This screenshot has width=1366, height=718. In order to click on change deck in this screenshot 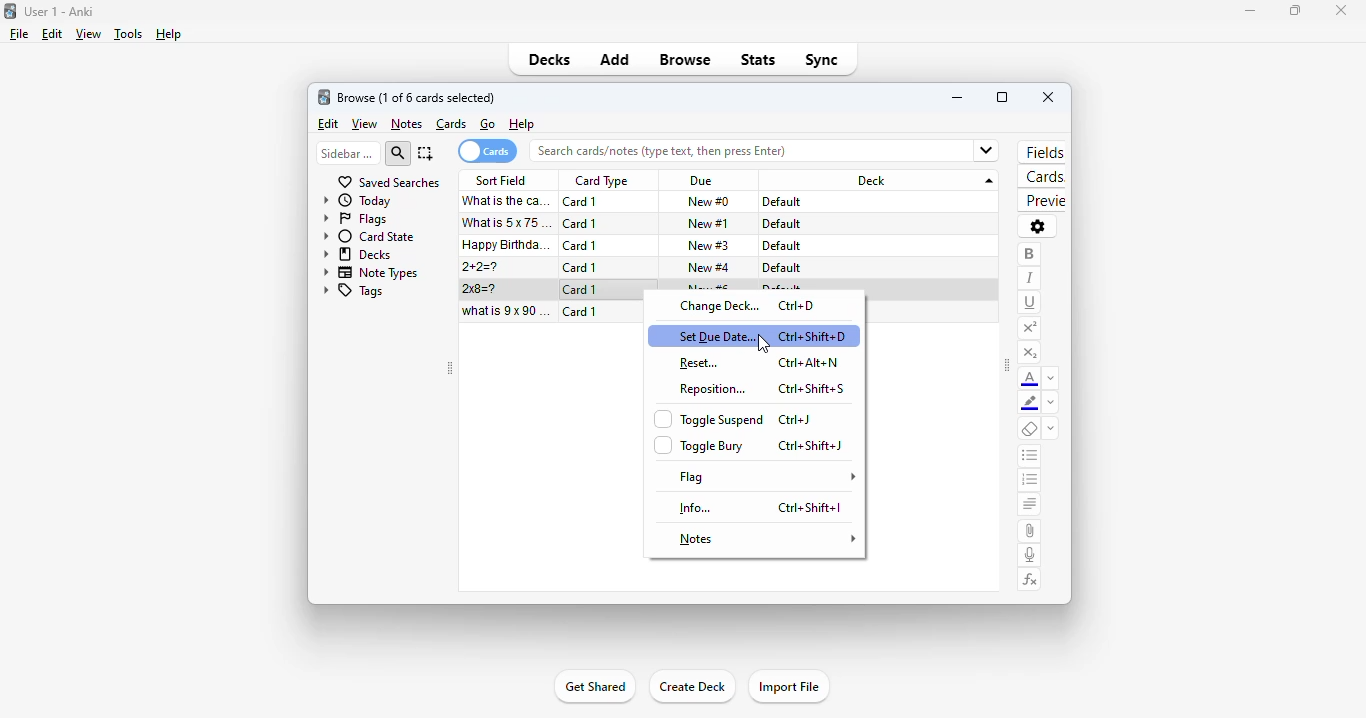, I will do `click(721, 306)`.